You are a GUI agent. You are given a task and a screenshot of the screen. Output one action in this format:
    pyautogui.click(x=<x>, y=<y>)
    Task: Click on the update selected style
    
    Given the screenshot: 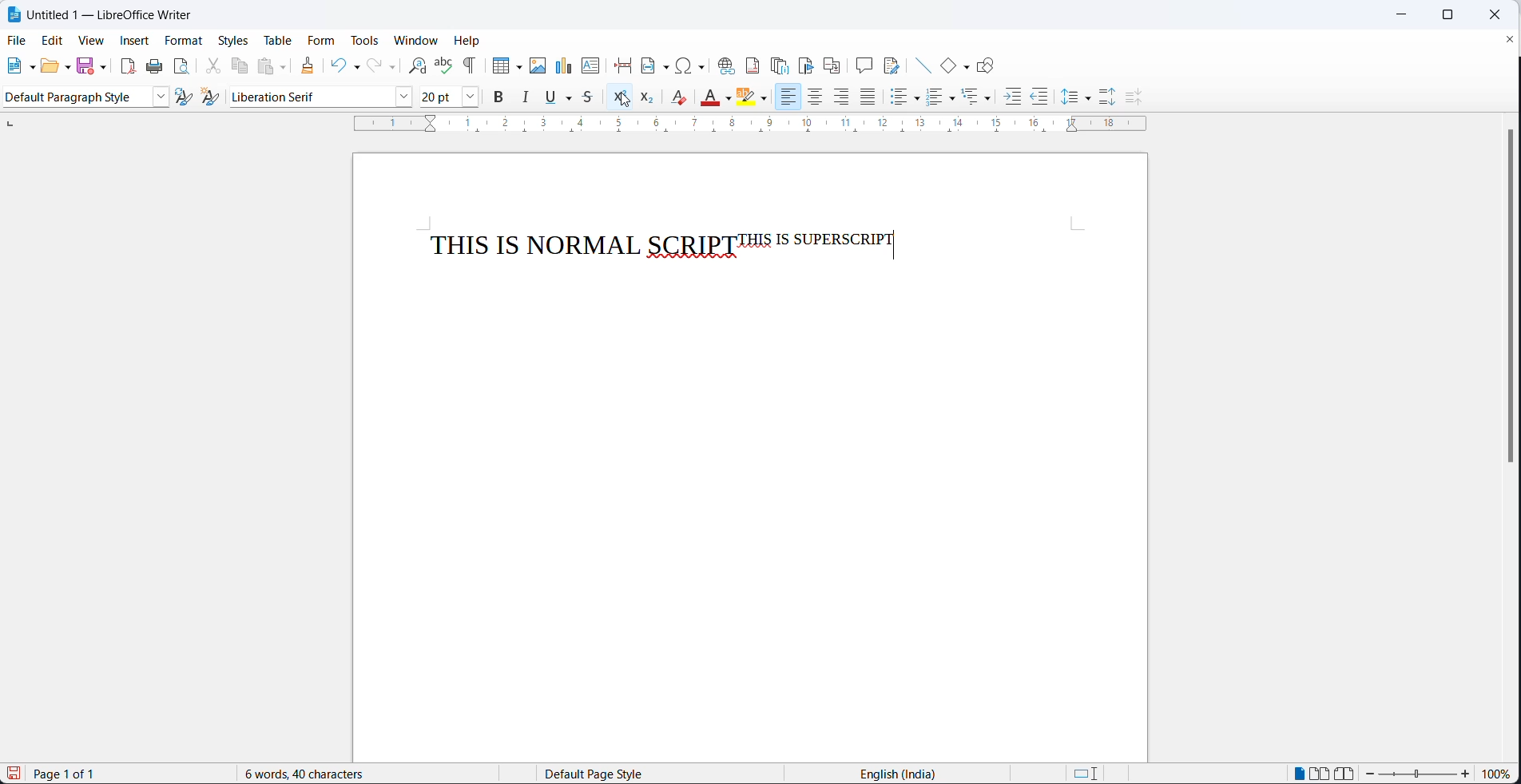 What is the action you would take?
    pyautogui.click(x=188, y=97)
    